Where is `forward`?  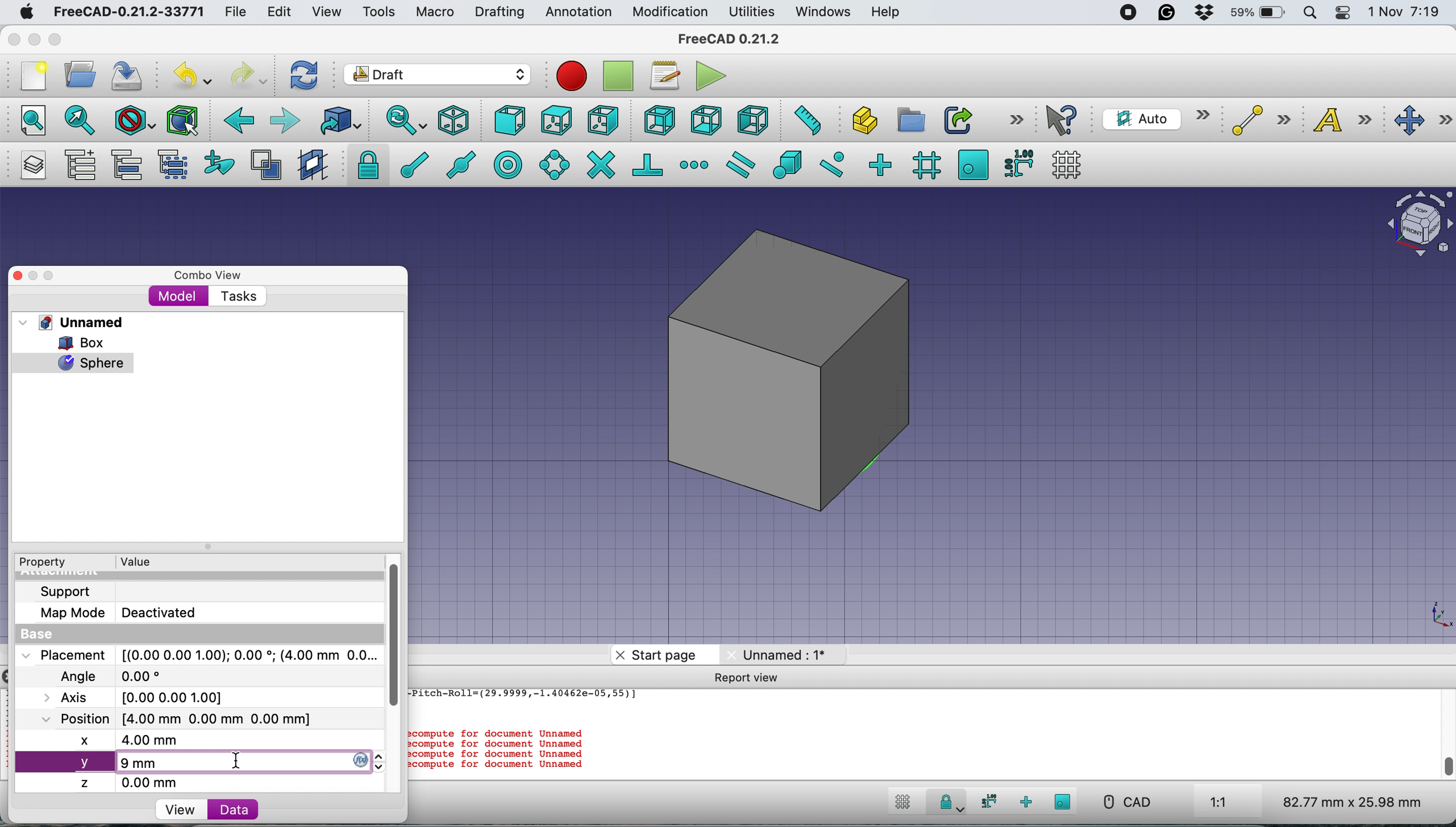 forward is located at coordinates (284, 120).